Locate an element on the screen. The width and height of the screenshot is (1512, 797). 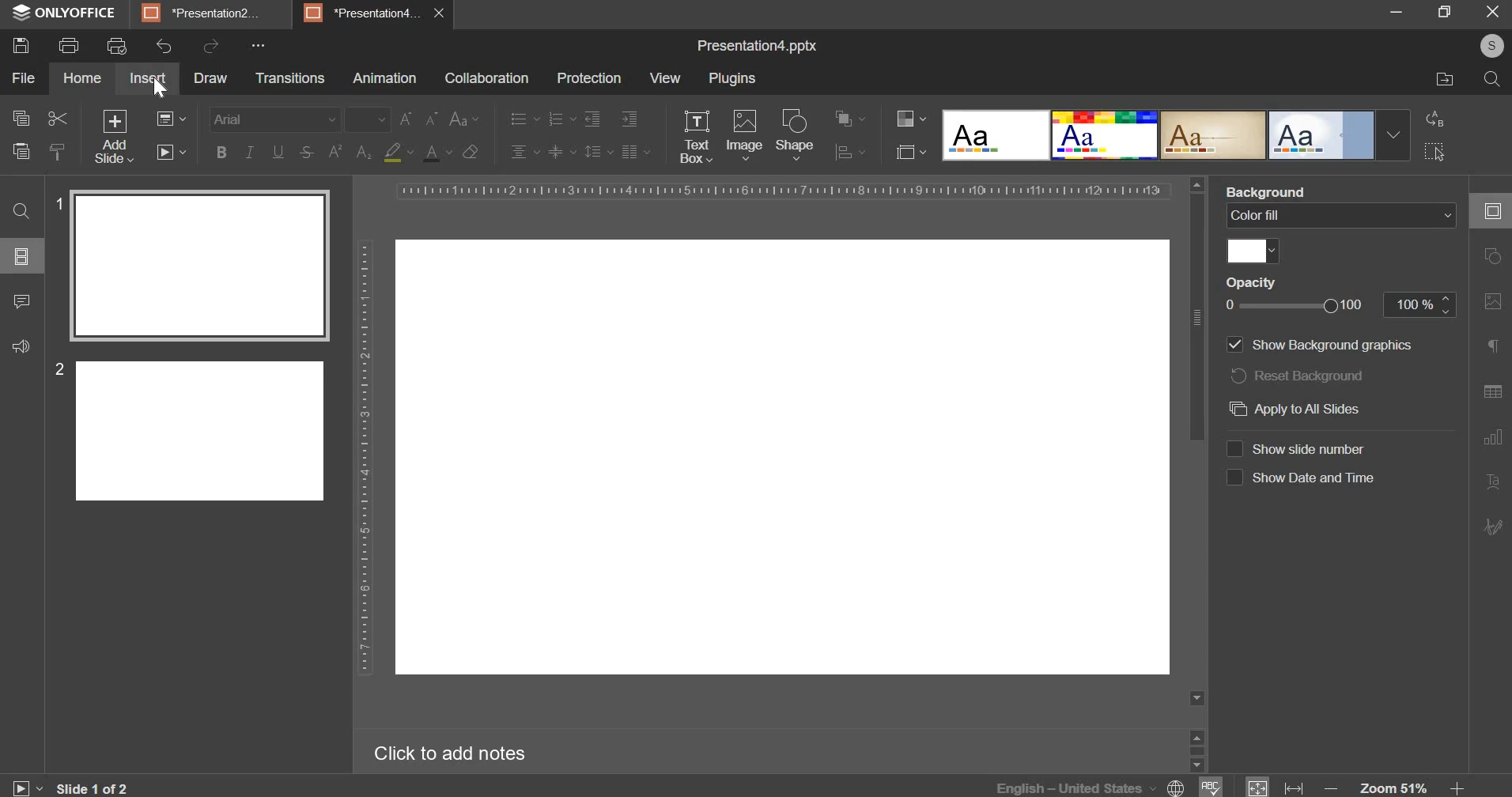
fit is located at coordinates (1273, 784).